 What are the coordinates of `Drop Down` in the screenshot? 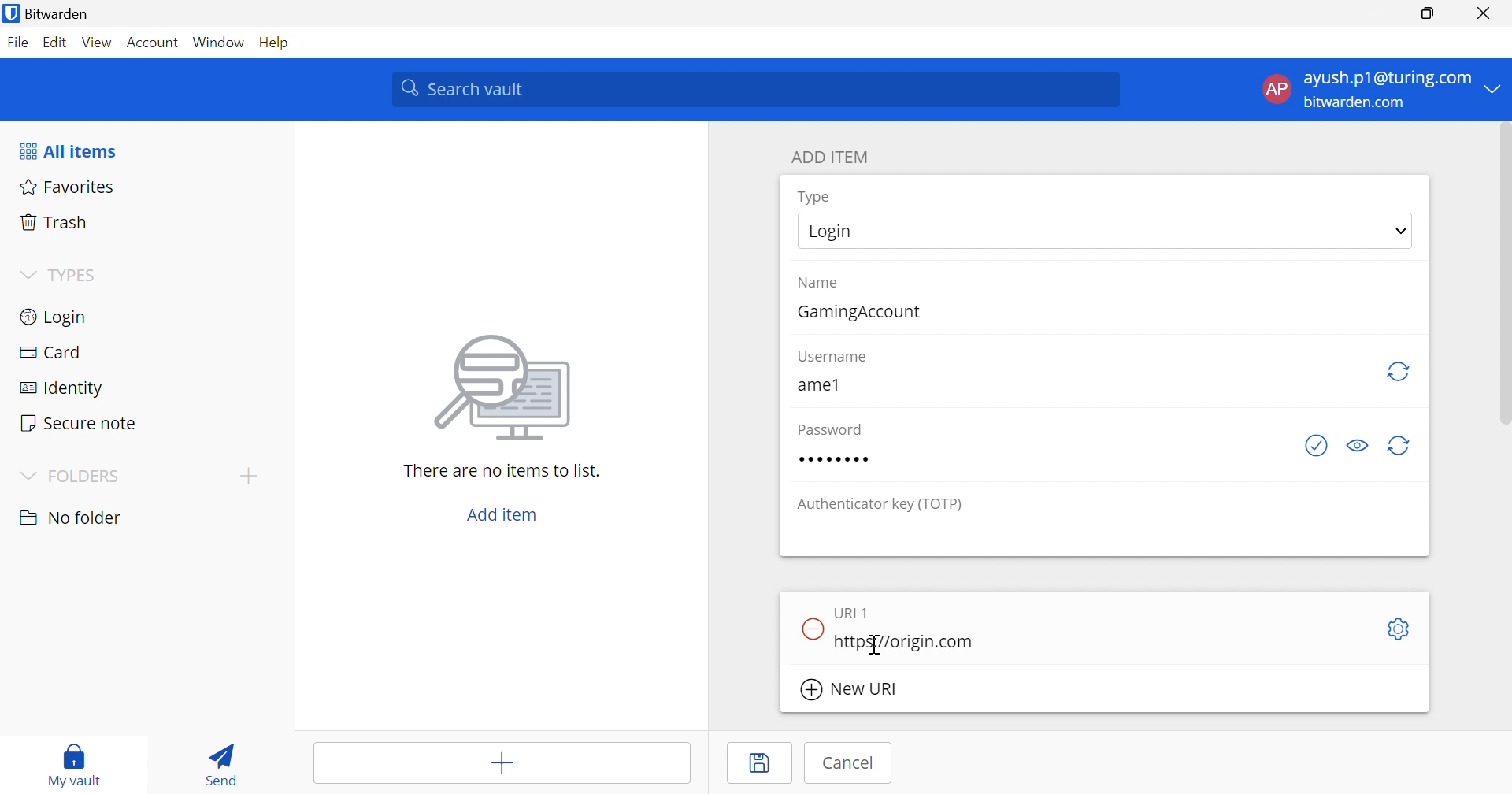 It's located at (24, 475).